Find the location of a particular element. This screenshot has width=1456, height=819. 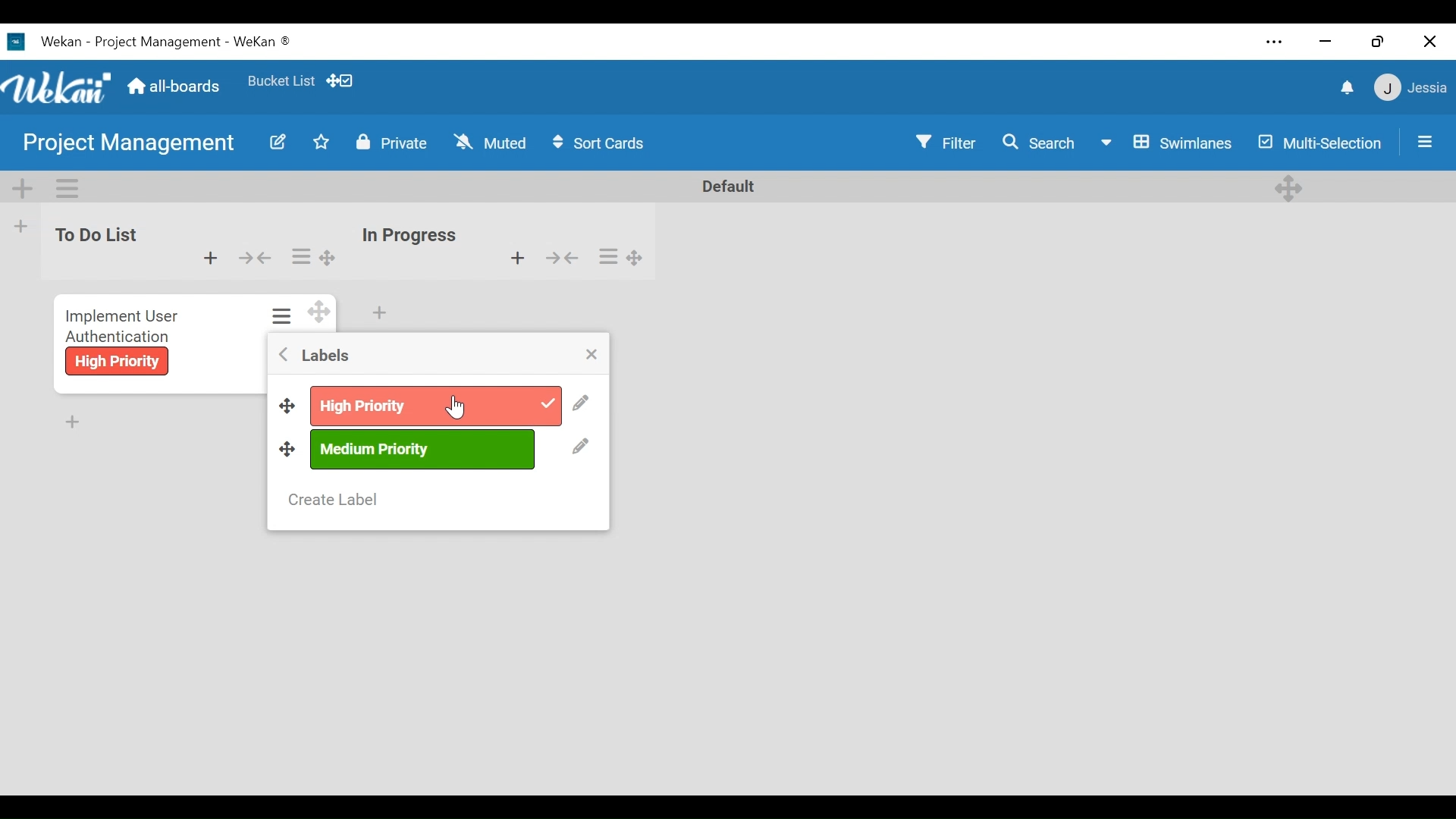

edit is located at coordinates (276, 145).